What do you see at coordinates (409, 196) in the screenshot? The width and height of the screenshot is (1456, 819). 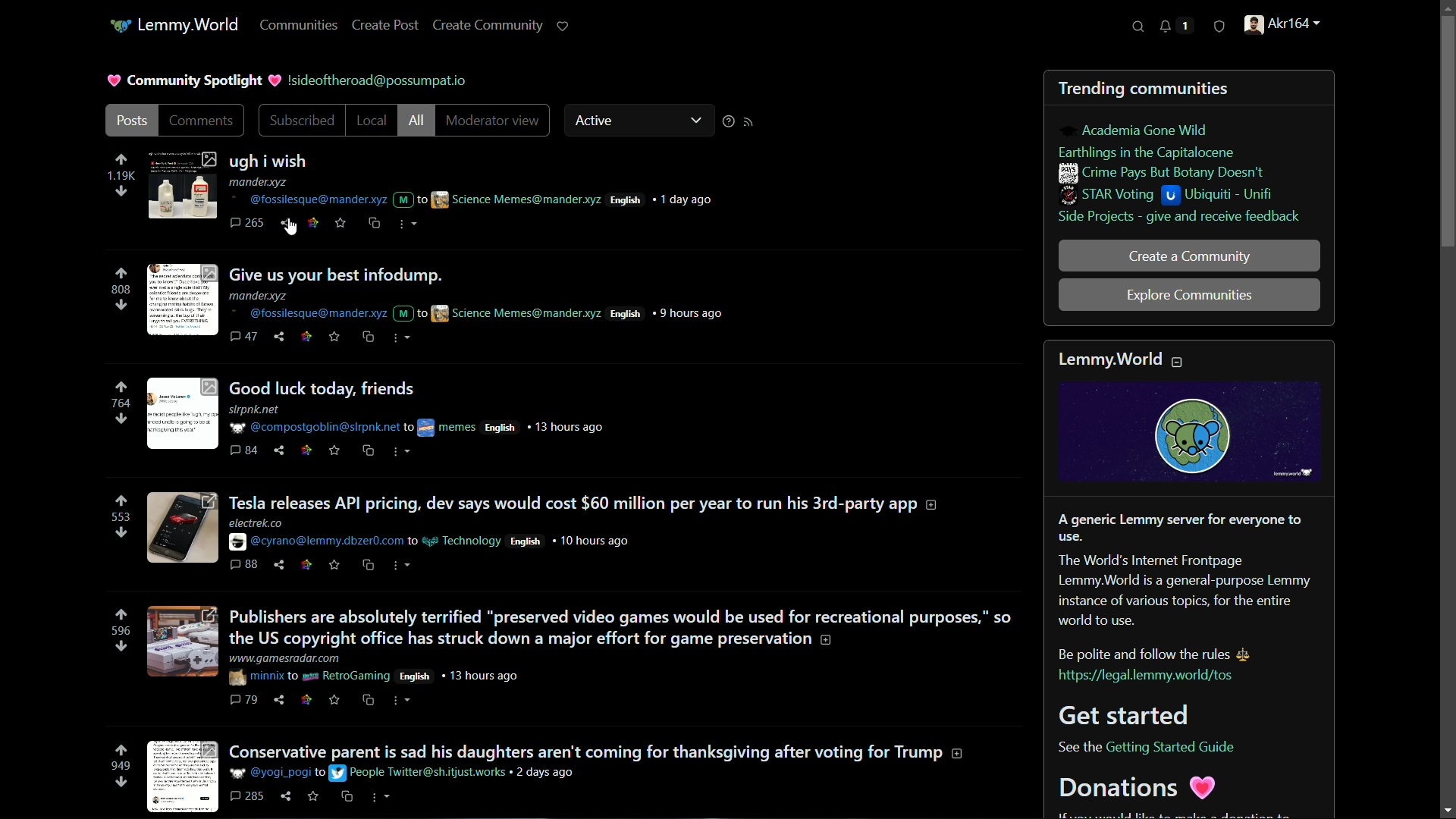 I see `M to` at bounding box center [409, 196].